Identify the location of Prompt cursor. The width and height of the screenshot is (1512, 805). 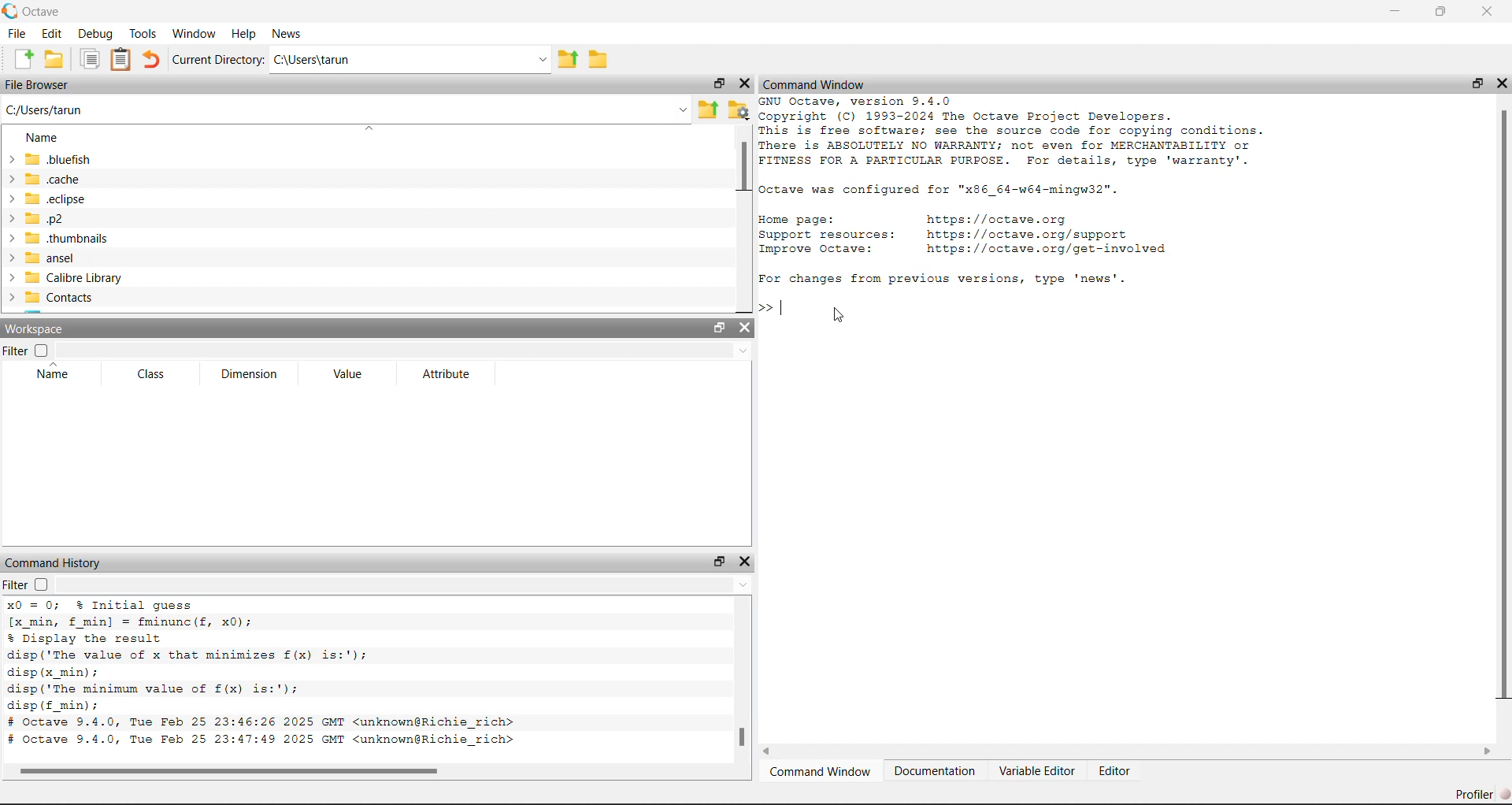
(773, 306).